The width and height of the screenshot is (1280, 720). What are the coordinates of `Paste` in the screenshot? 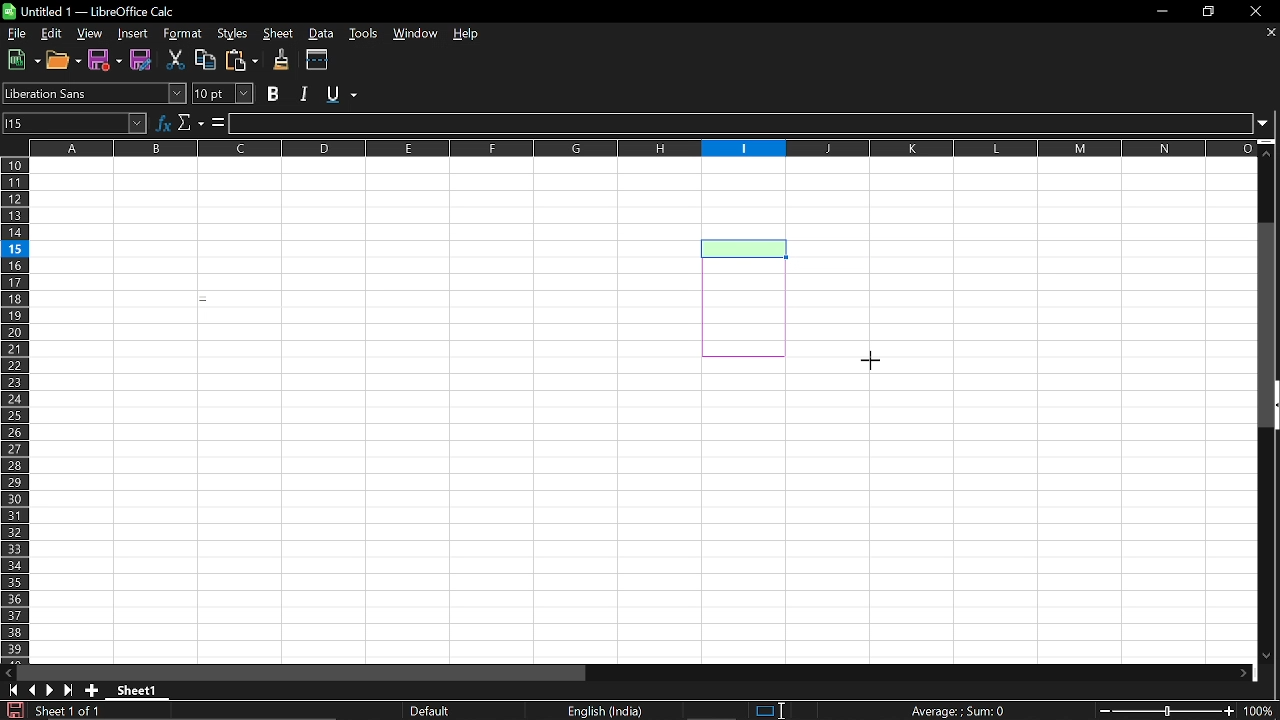 It's located at (243, 60).